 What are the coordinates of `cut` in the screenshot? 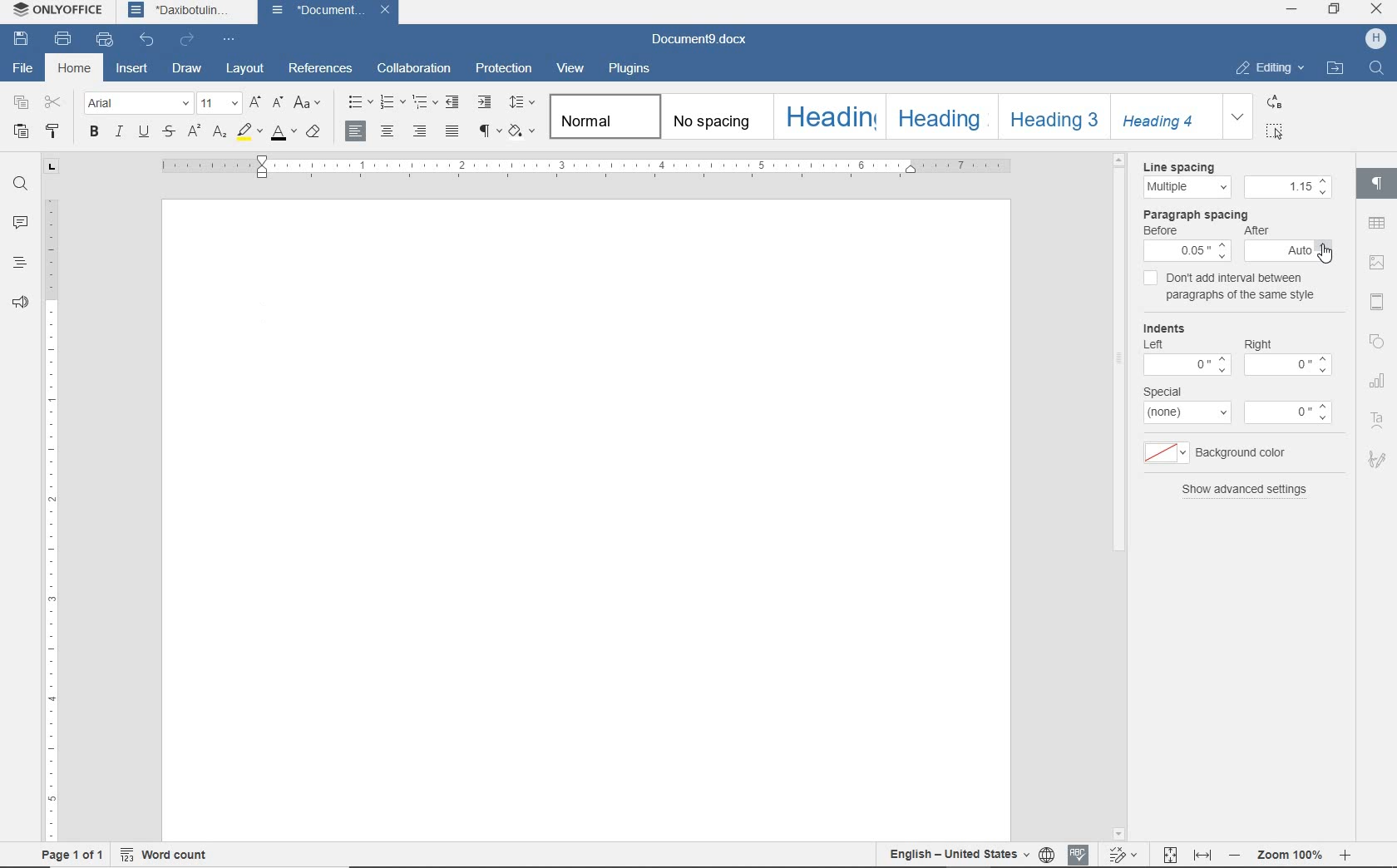 It's located at (57, 102).